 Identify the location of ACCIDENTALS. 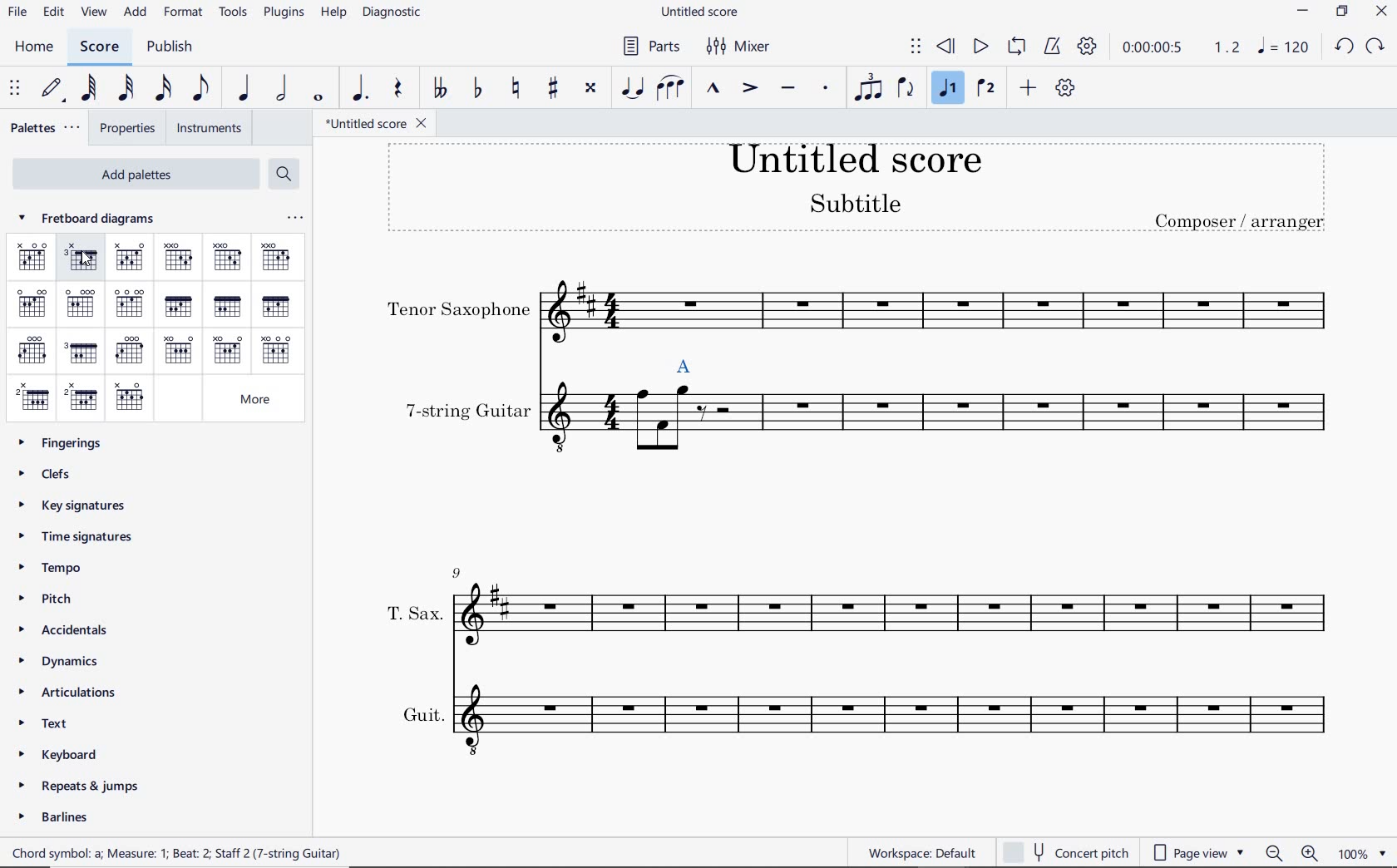
(76, 633).